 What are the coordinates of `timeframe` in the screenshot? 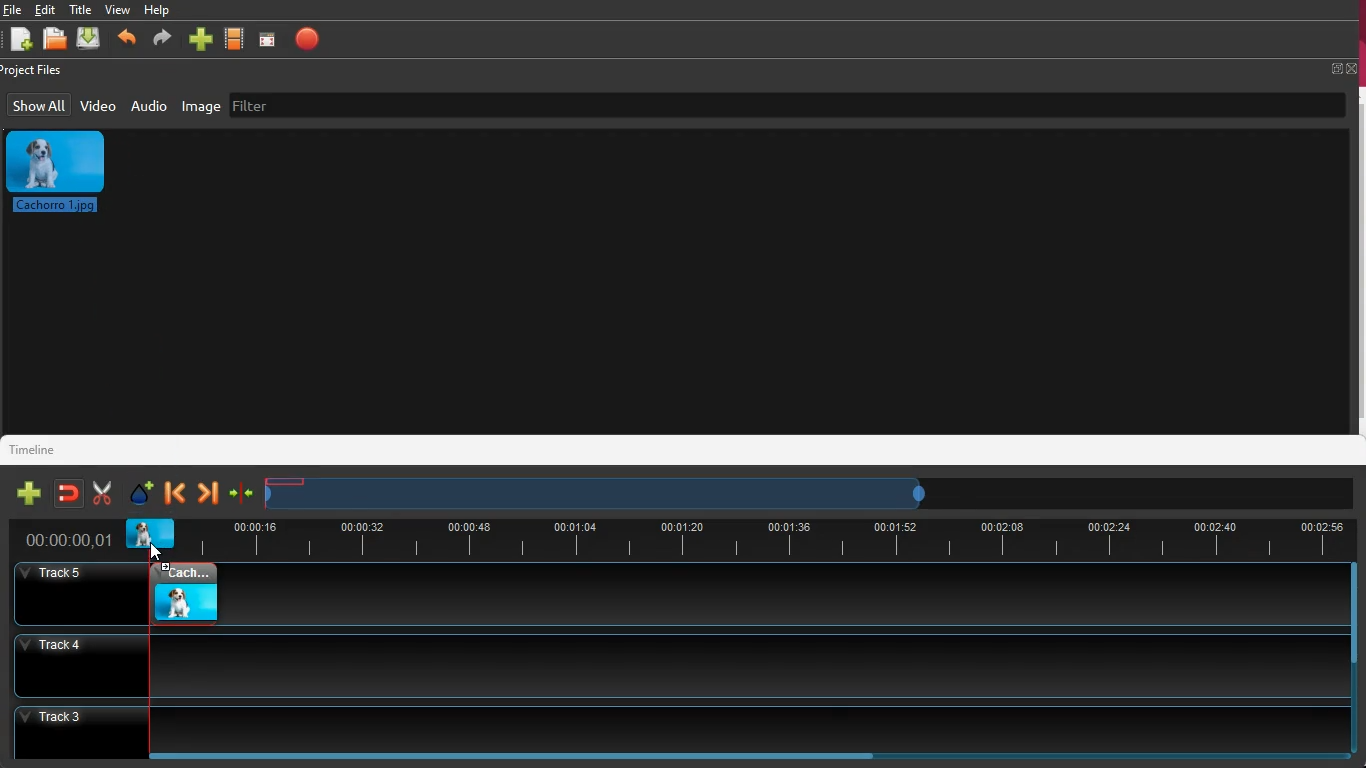 It's located at (597, 491).